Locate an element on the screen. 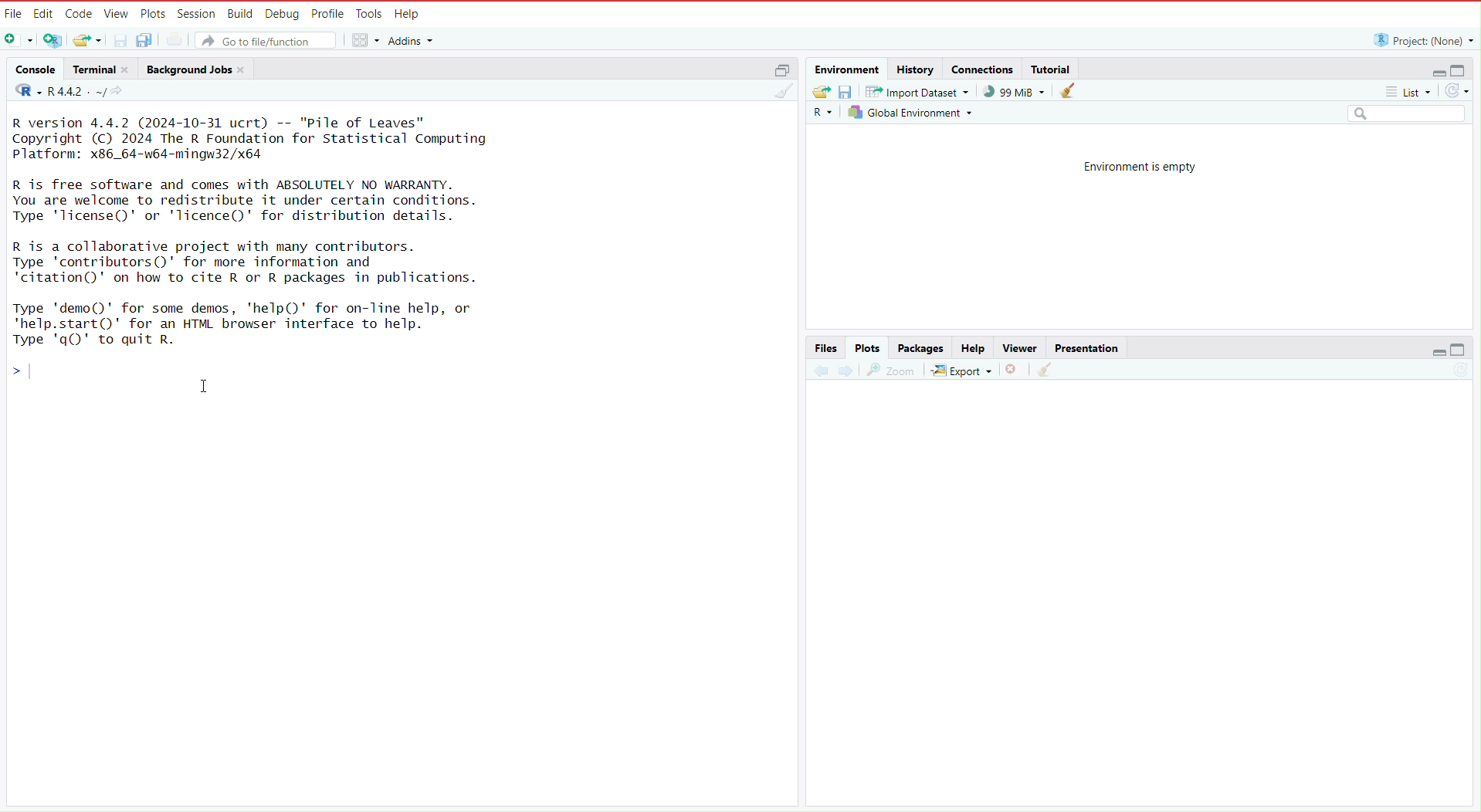 This screenshot has height=812, width=1481. R version 4.4.2 (2024-10-31 ucrt) -- "Pile of Leaves"
Copyright (C) 2024 The R Foundation for Statistical Computing
Platform: x86_64-w64-mingw32/x64 is located at coordinates (253, 137).